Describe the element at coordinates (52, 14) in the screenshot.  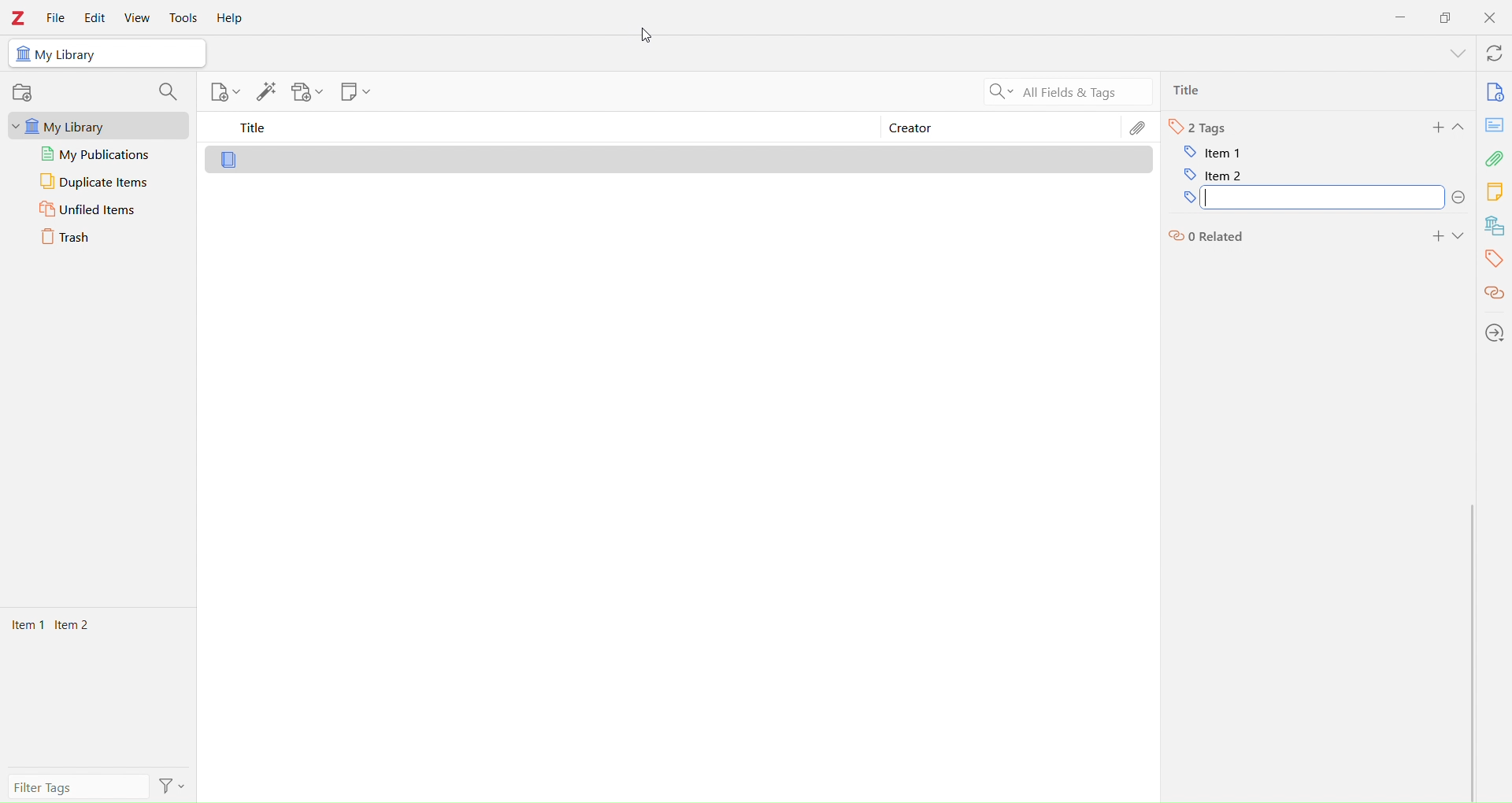
I see `File` at that location.